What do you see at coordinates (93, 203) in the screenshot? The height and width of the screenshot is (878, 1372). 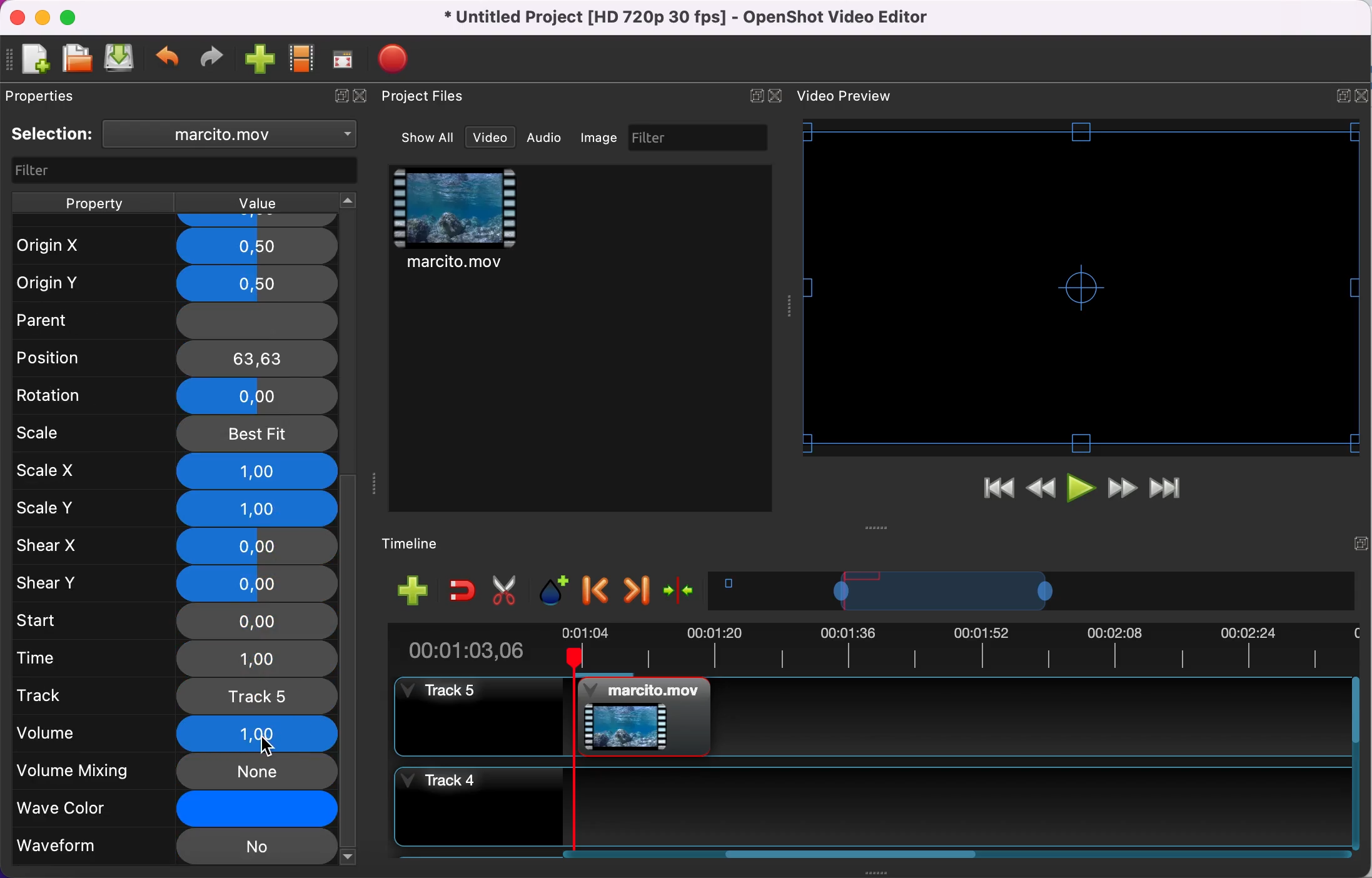 I see `property` at bounding box center [93, 203].